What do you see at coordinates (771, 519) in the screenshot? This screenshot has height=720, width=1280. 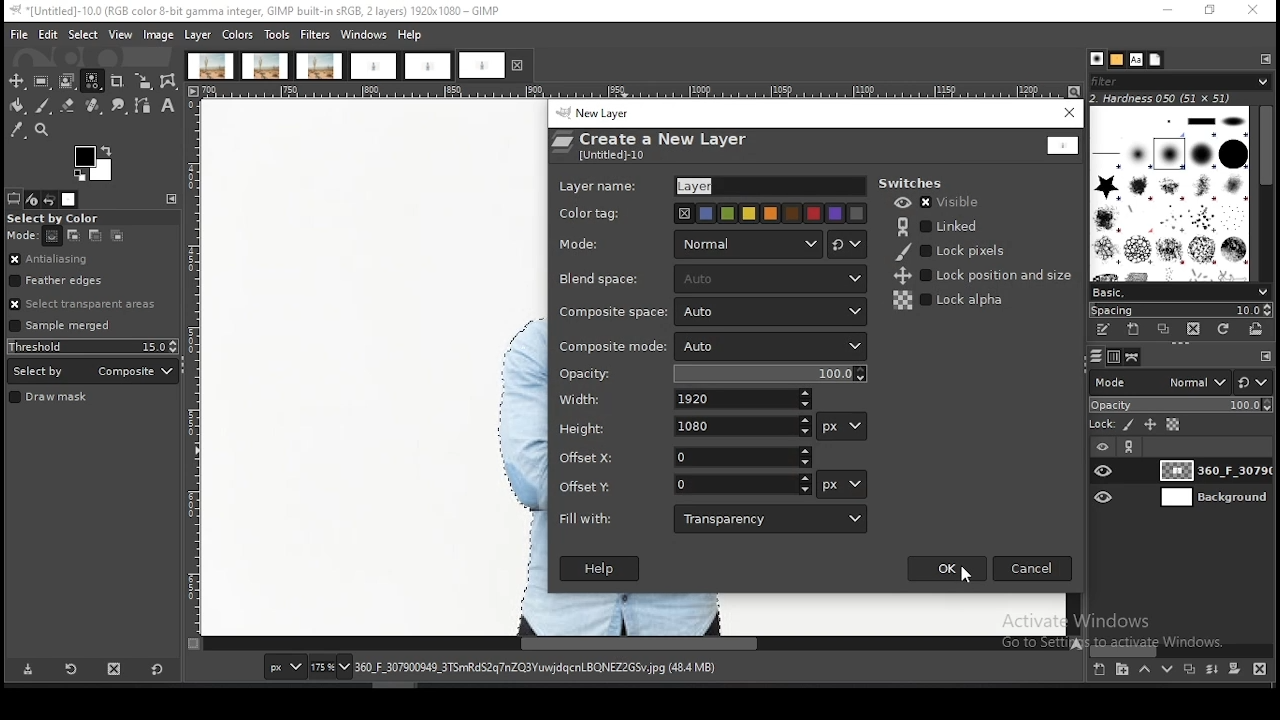 I see `transparency` at bounding box center [771, 519].